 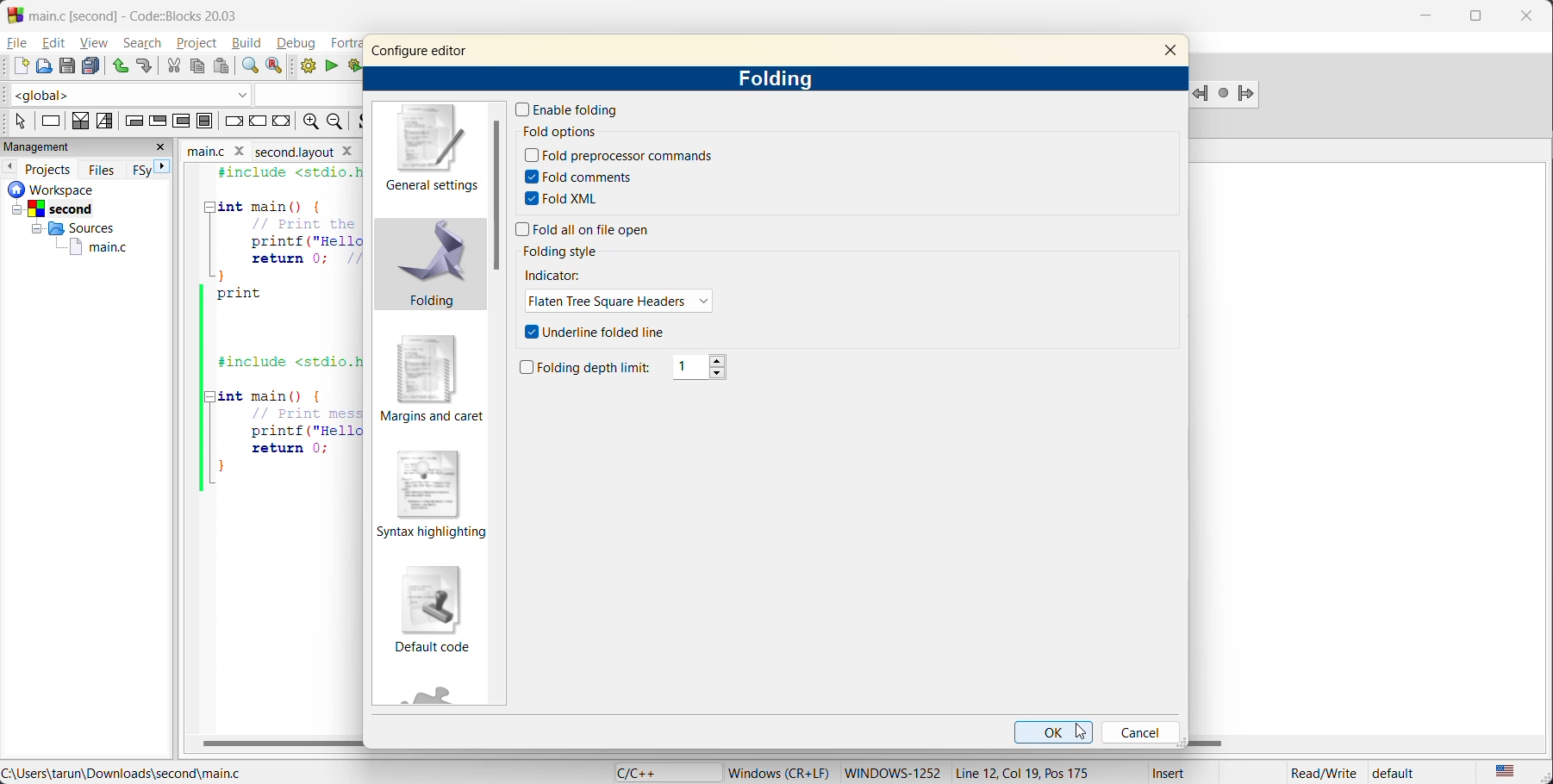 What do you see at coordinates (247, 42) in the screenshot?
I see `build` at bounding box center [247, 42].